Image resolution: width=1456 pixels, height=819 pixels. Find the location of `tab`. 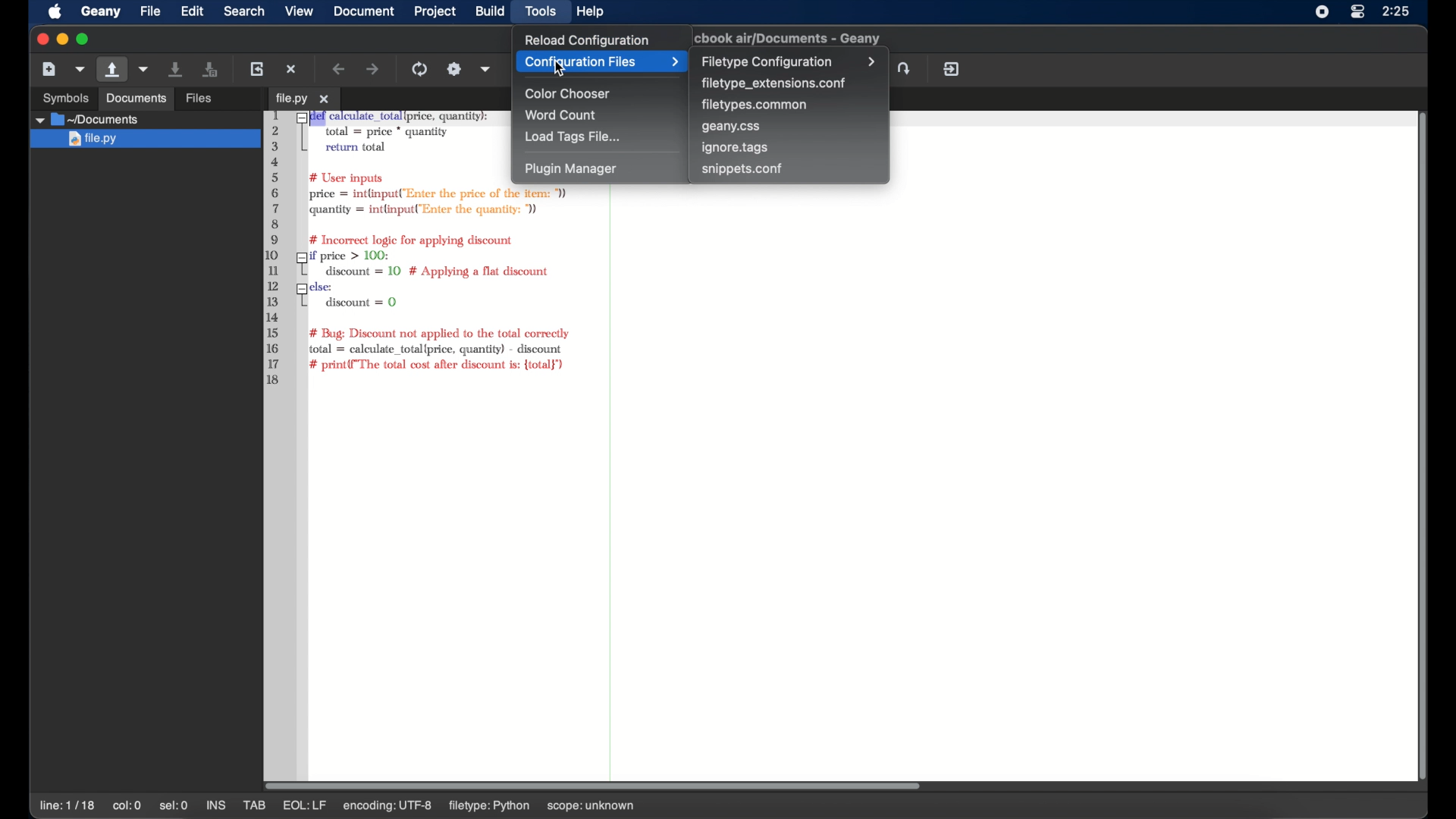

tab is located at coordinates (303, 99).